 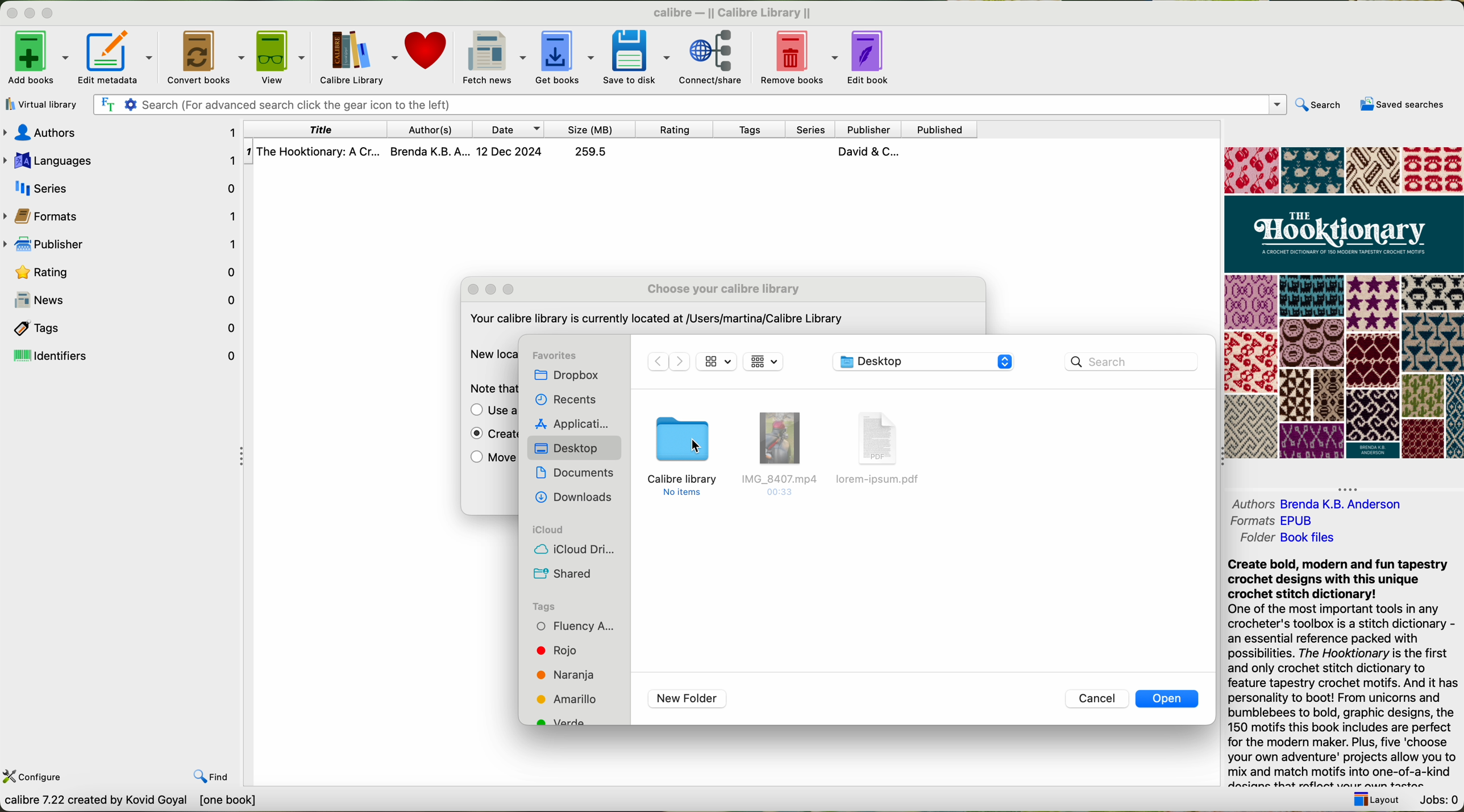 What do you see at coordinates (1321, 105) in the screenshot?
I see `search` at bounding box center [1321, 105].